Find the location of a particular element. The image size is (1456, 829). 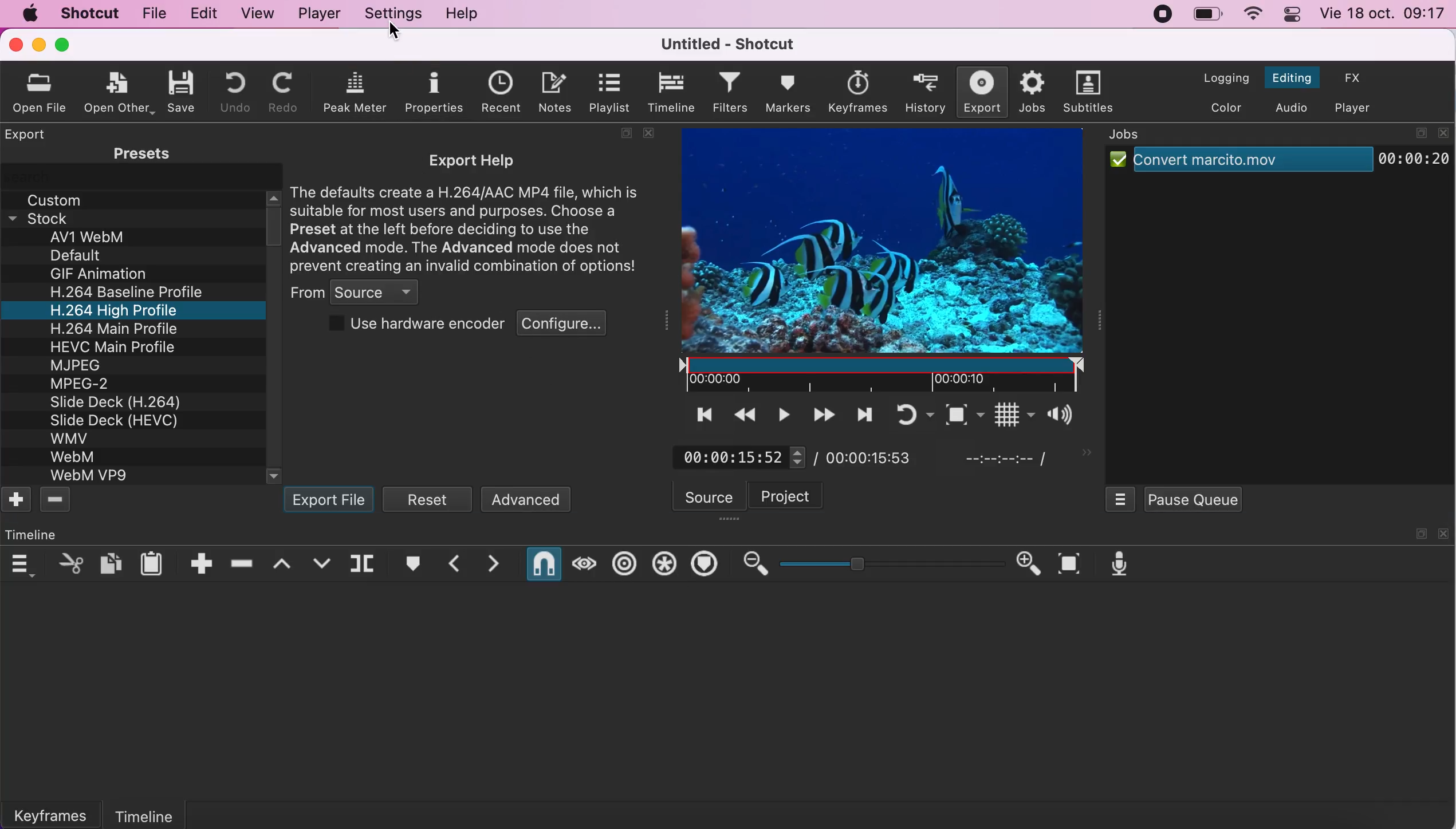

zoom in is located at coordinates (1030, 564).